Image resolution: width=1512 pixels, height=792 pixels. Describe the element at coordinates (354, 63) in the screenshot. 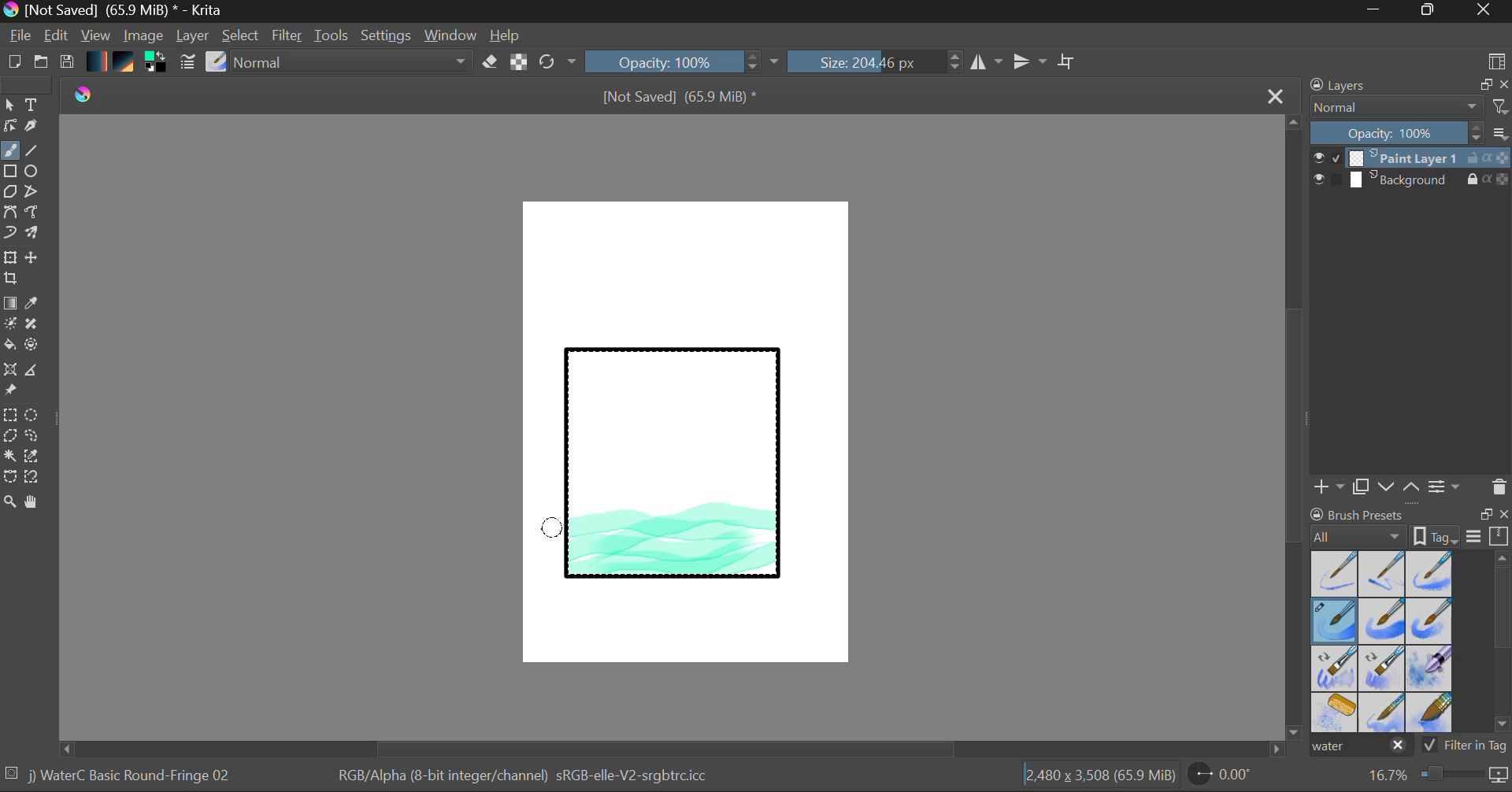

I see `Blending Tool` at that location.